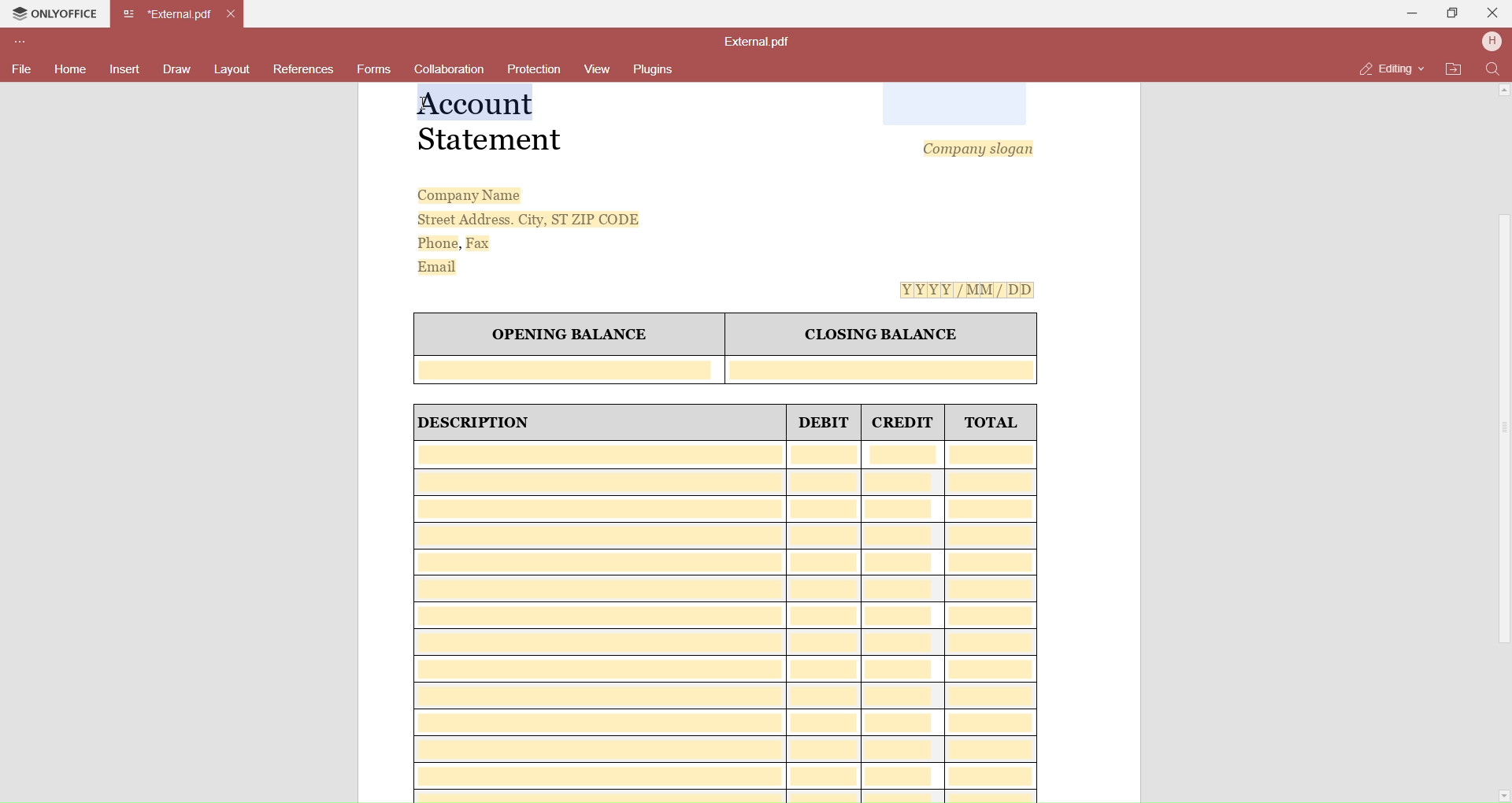  Describe the element at coordinates (450, 71) in the screenshot. I see `Collaboration` at that location.